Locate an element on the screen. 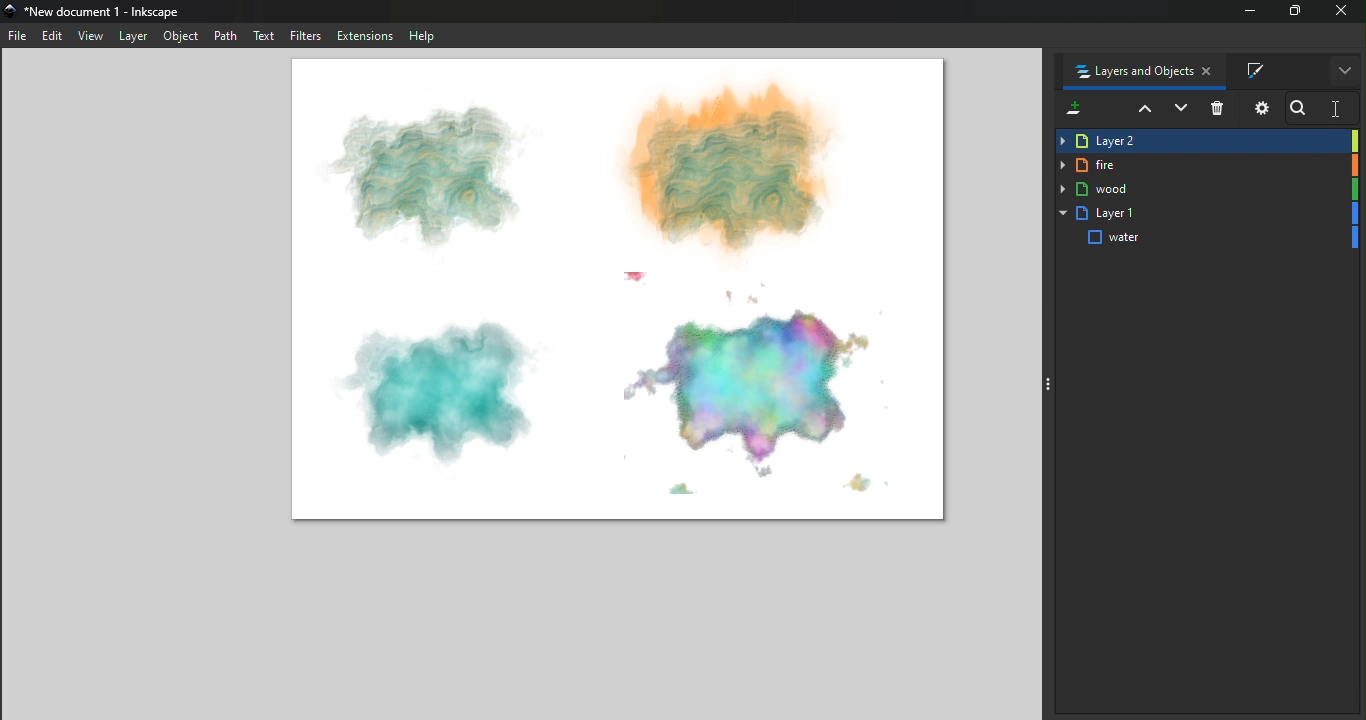 This screenshot has height=720, width=1366. Objects and layers dialog settings is located at coordinates (1260, 107).